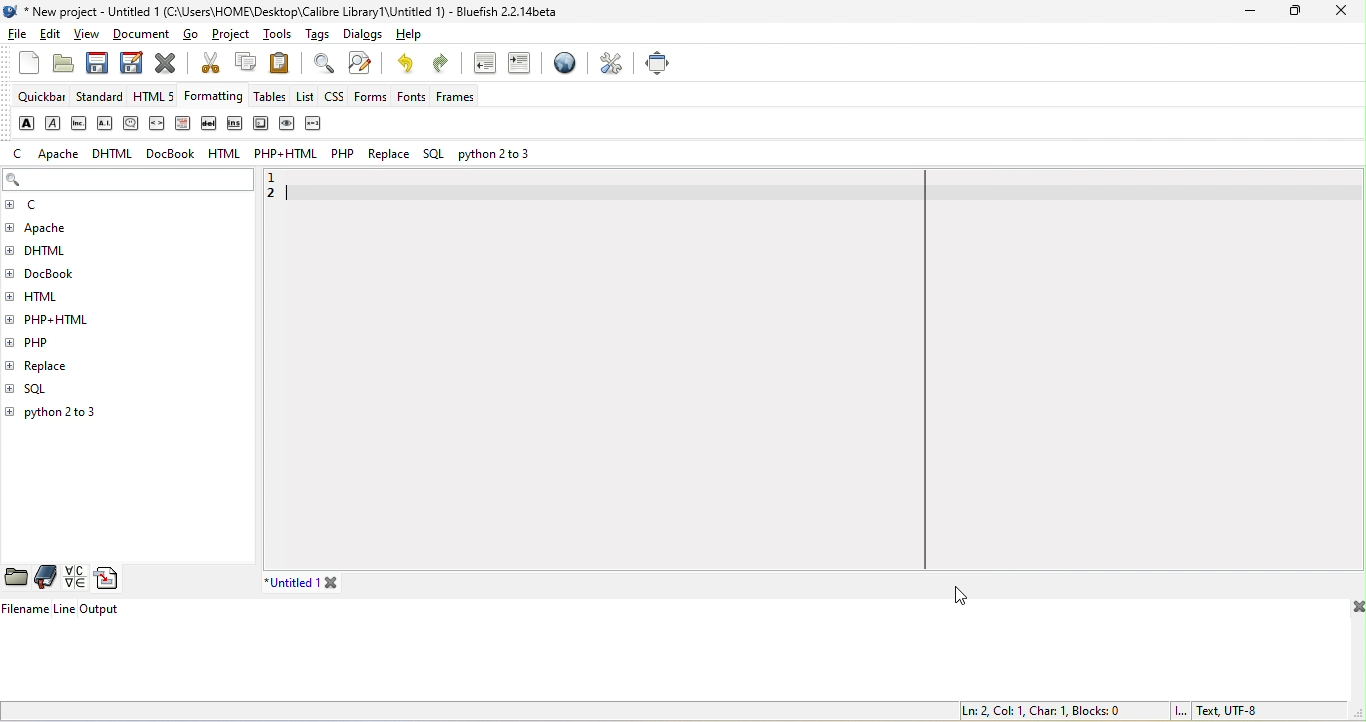  I want to click on close, so click(334, 581).